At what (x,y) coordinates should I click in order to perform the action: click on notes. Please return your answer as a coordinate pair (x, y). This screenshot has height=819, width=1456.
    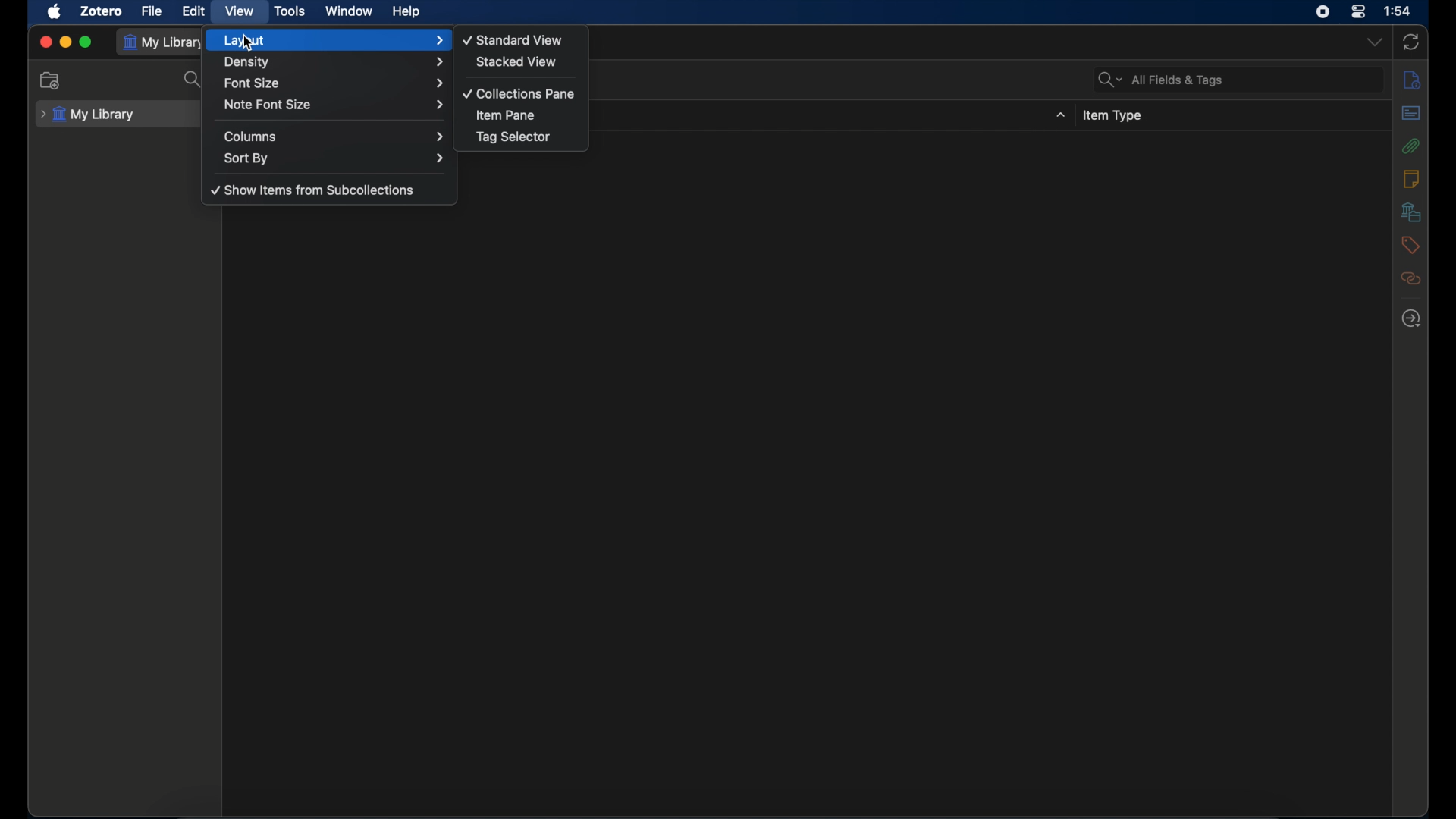
    Looking at the image, I should click on (1411, 180).